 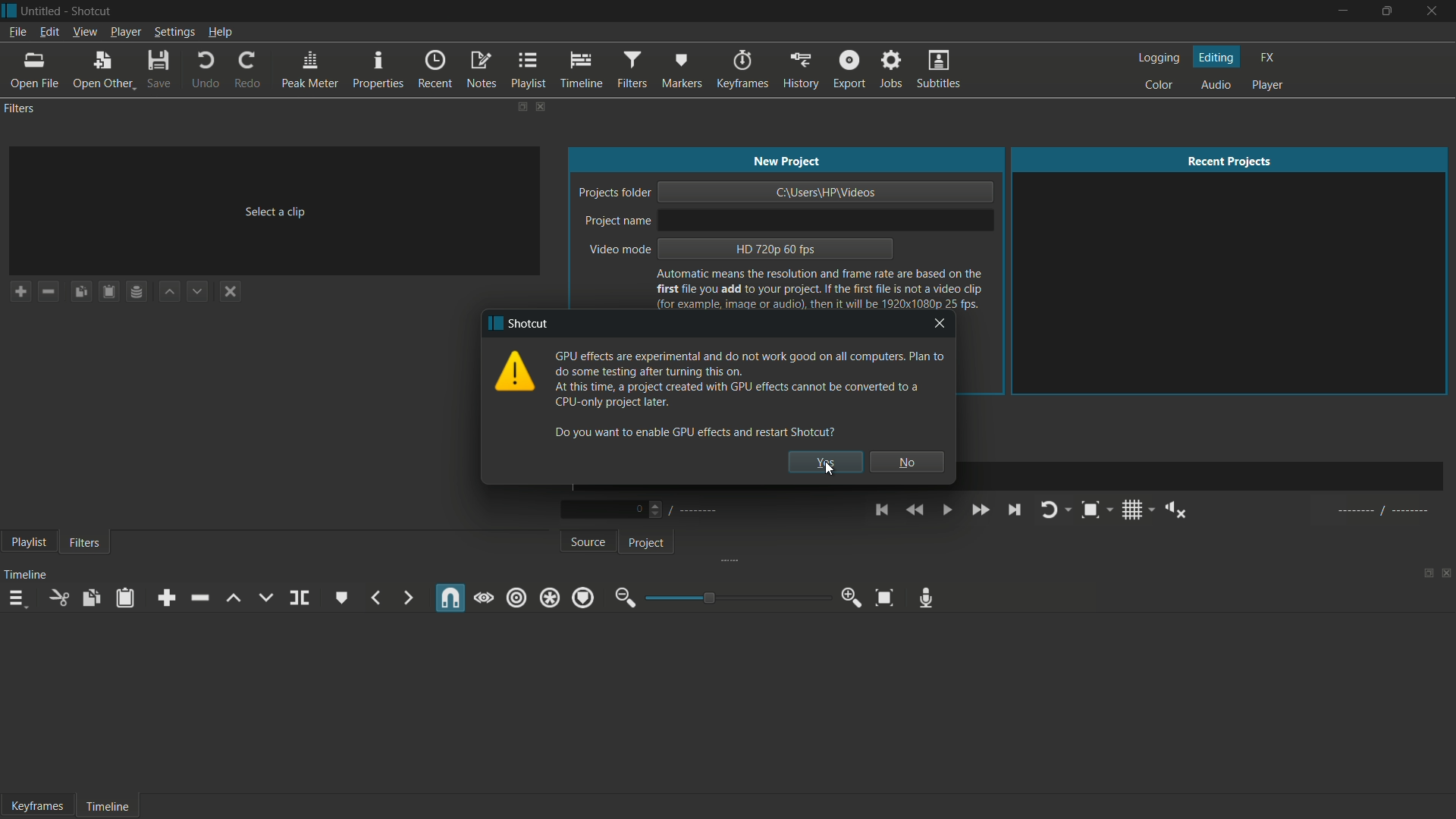 What do you see at coordinates (801, 70) in the screenshot?
I see `history` at bounding box center [801, 70].